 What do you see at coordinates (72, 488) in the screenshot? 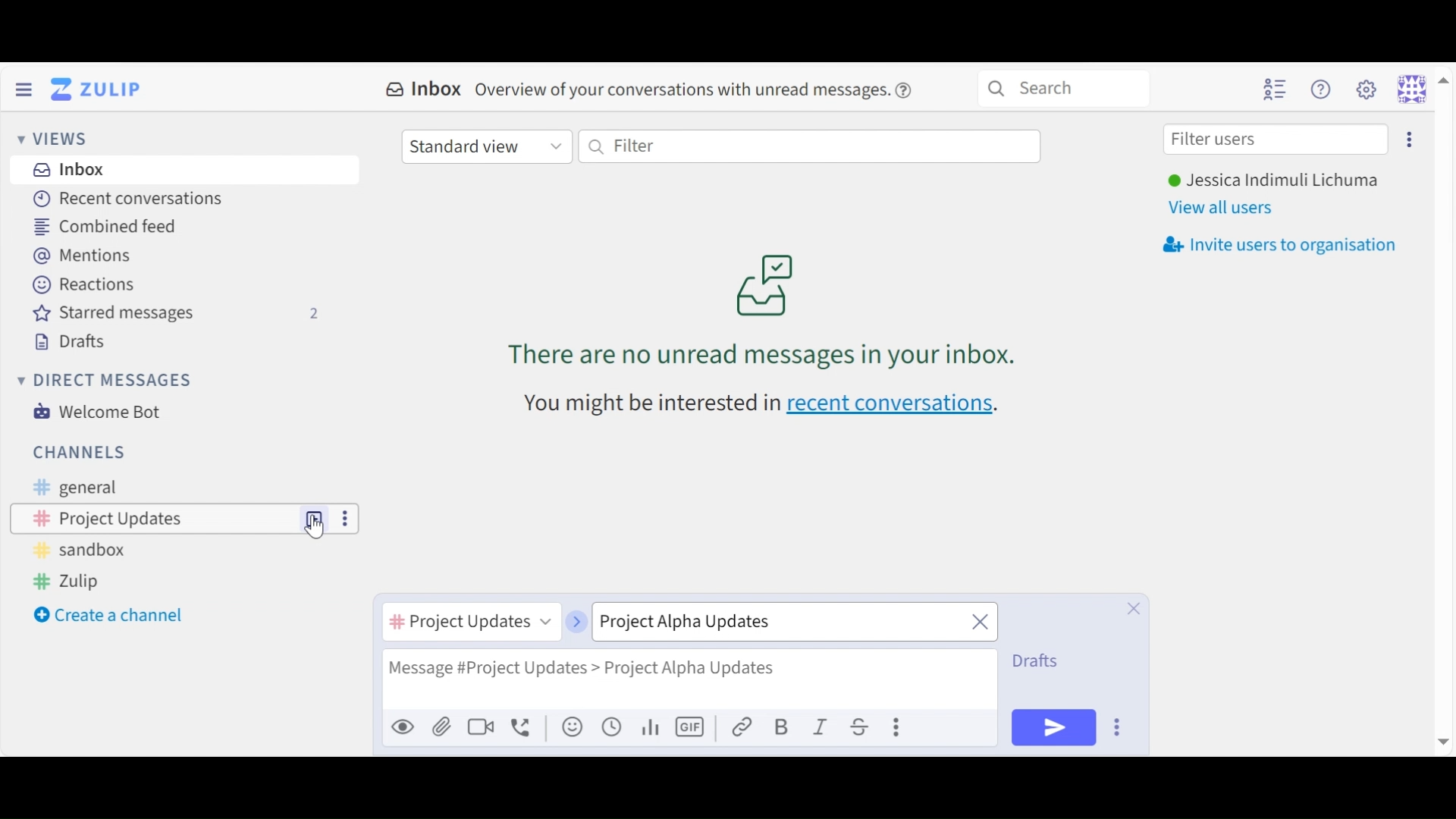
I see `General Channel` at bounding box center [72, 488].